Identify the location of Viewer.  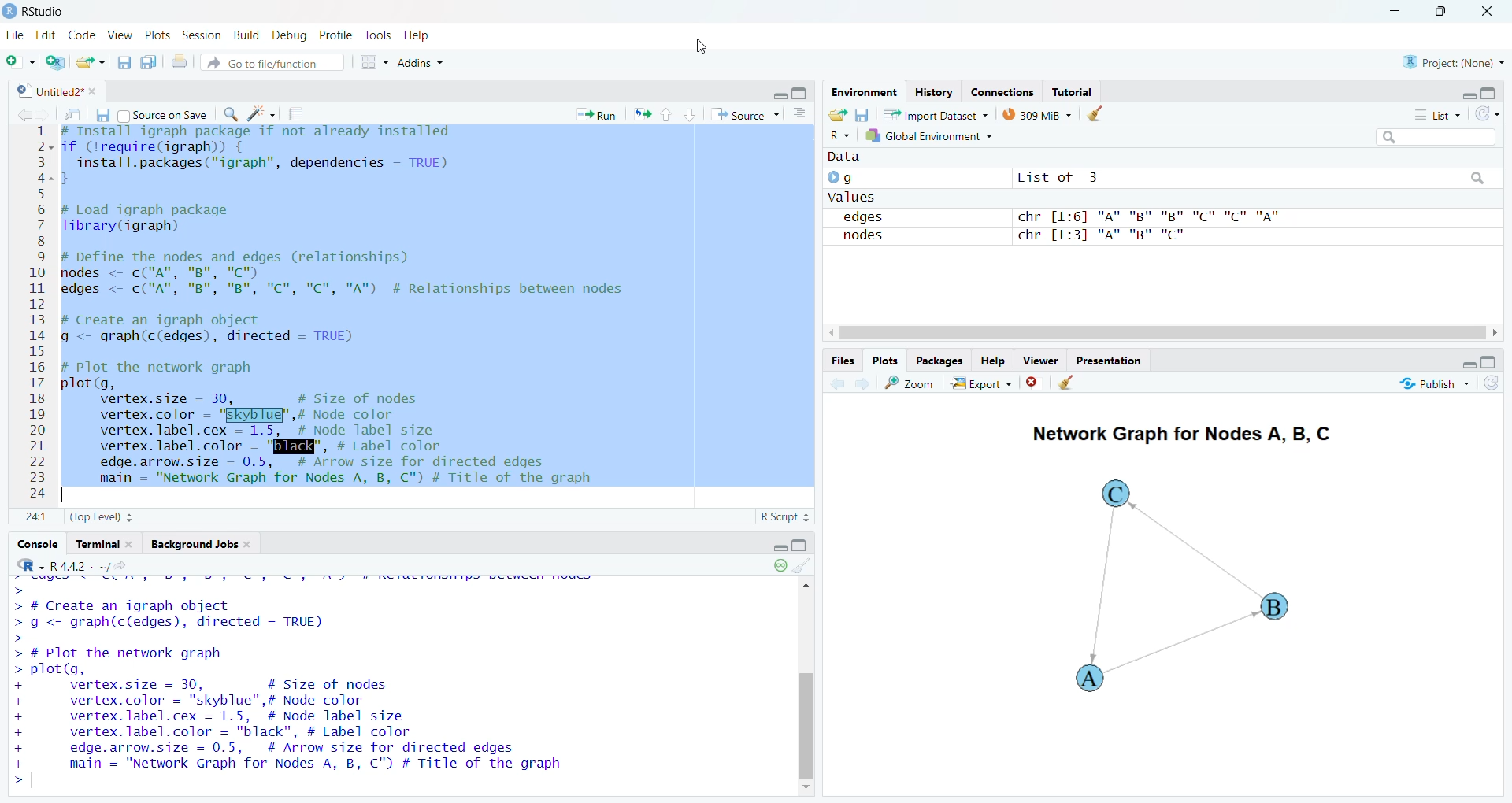
(1042, 361).